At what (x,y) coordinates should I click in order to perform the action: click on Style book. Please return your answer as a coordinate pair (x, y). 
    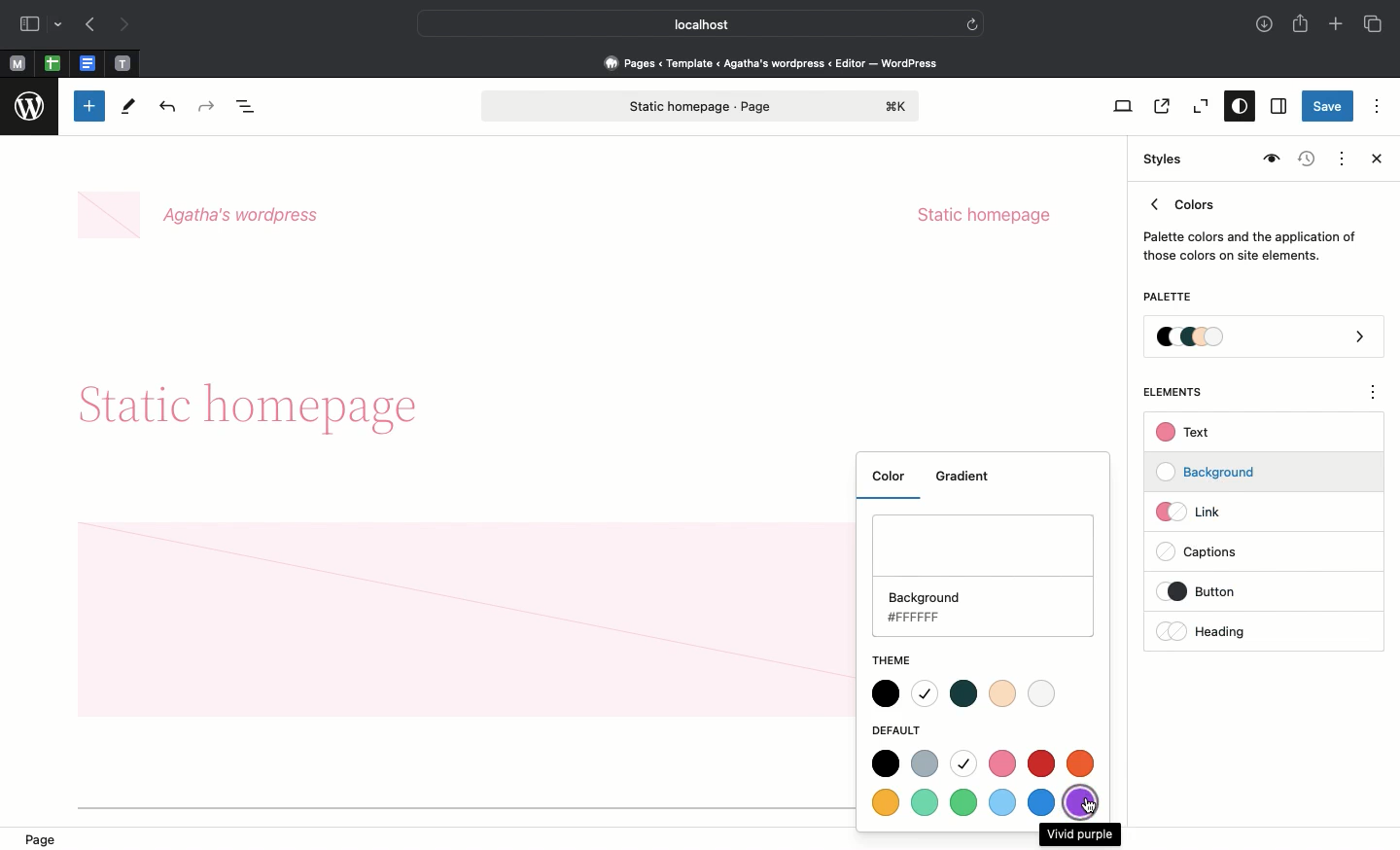
    Looking at the image, I should click on (1269, 159).